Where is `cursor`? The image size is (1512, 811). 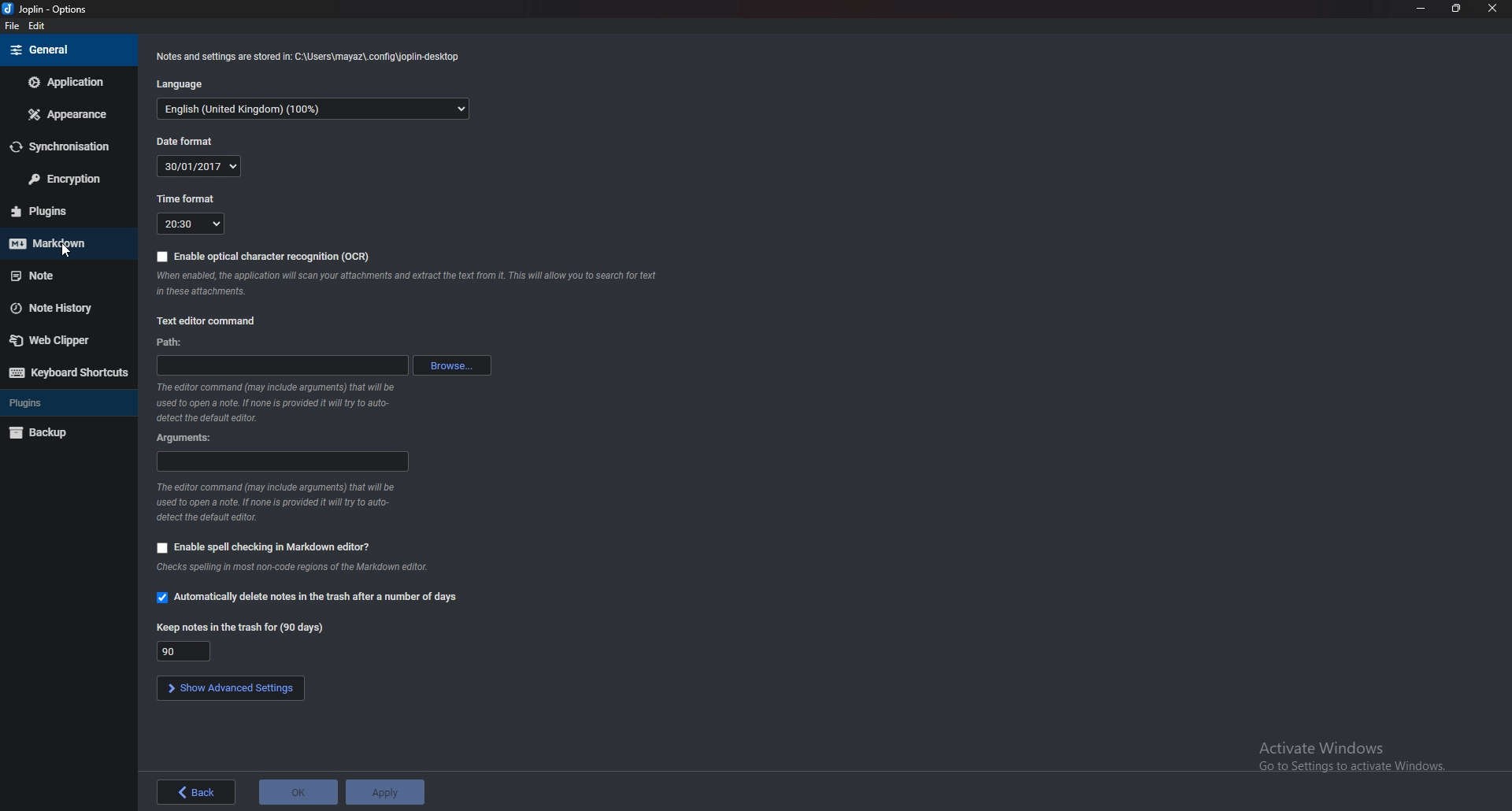
cursor is located at coordinates (69, 250).